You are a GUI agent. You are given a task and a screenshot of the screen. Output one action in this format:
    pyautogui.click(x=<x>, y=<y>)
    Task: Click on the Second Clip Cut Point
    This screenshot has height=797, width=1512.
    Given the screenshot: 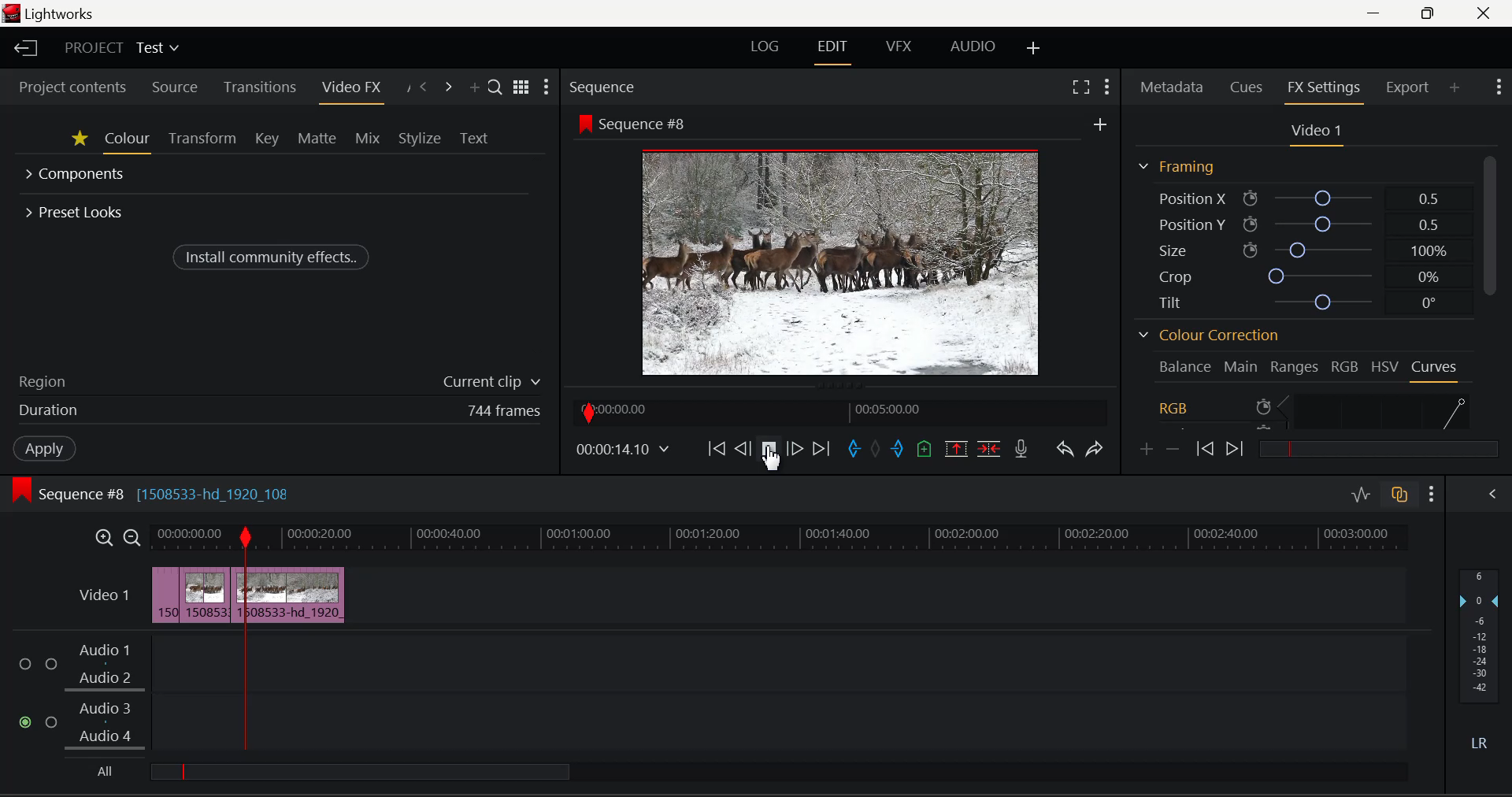 What is the action you would take?
    pyautogui.click(x=237, y=639)
    